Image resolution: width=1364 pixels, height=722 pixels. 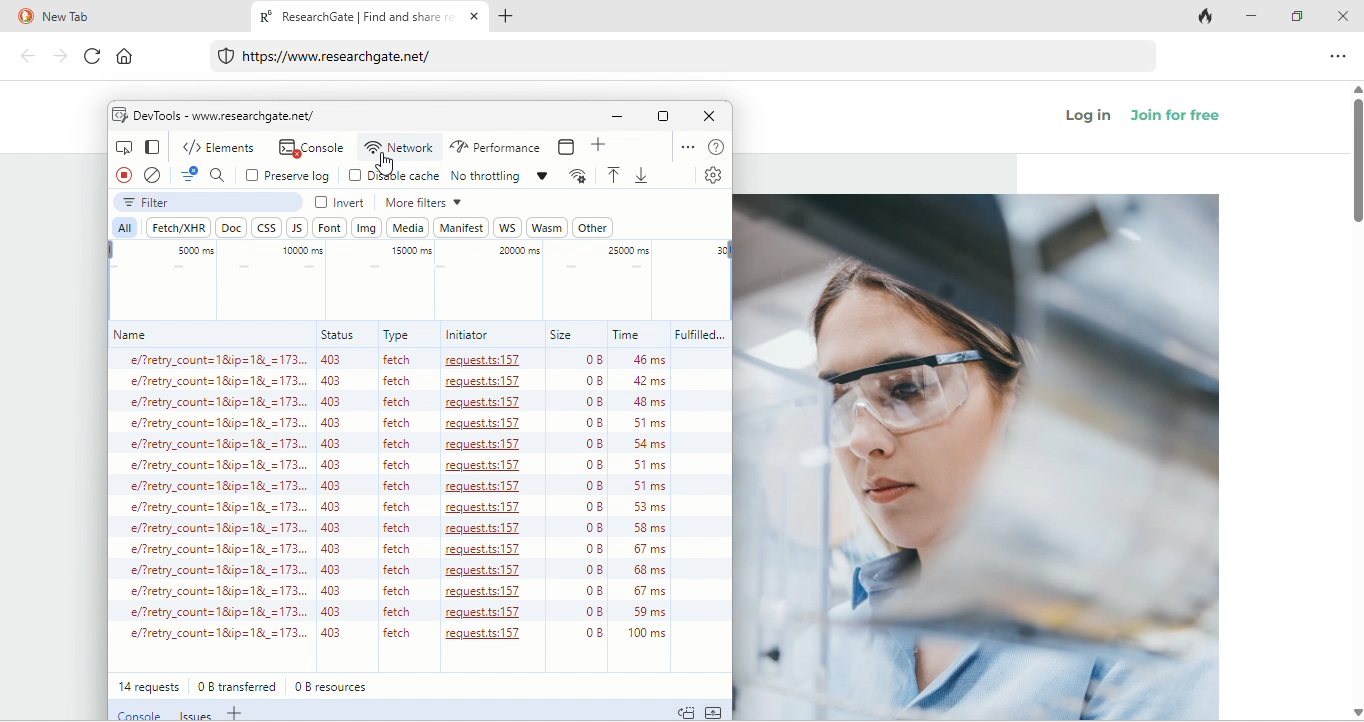 I want to click on log in, so click(x=1090, y=118).